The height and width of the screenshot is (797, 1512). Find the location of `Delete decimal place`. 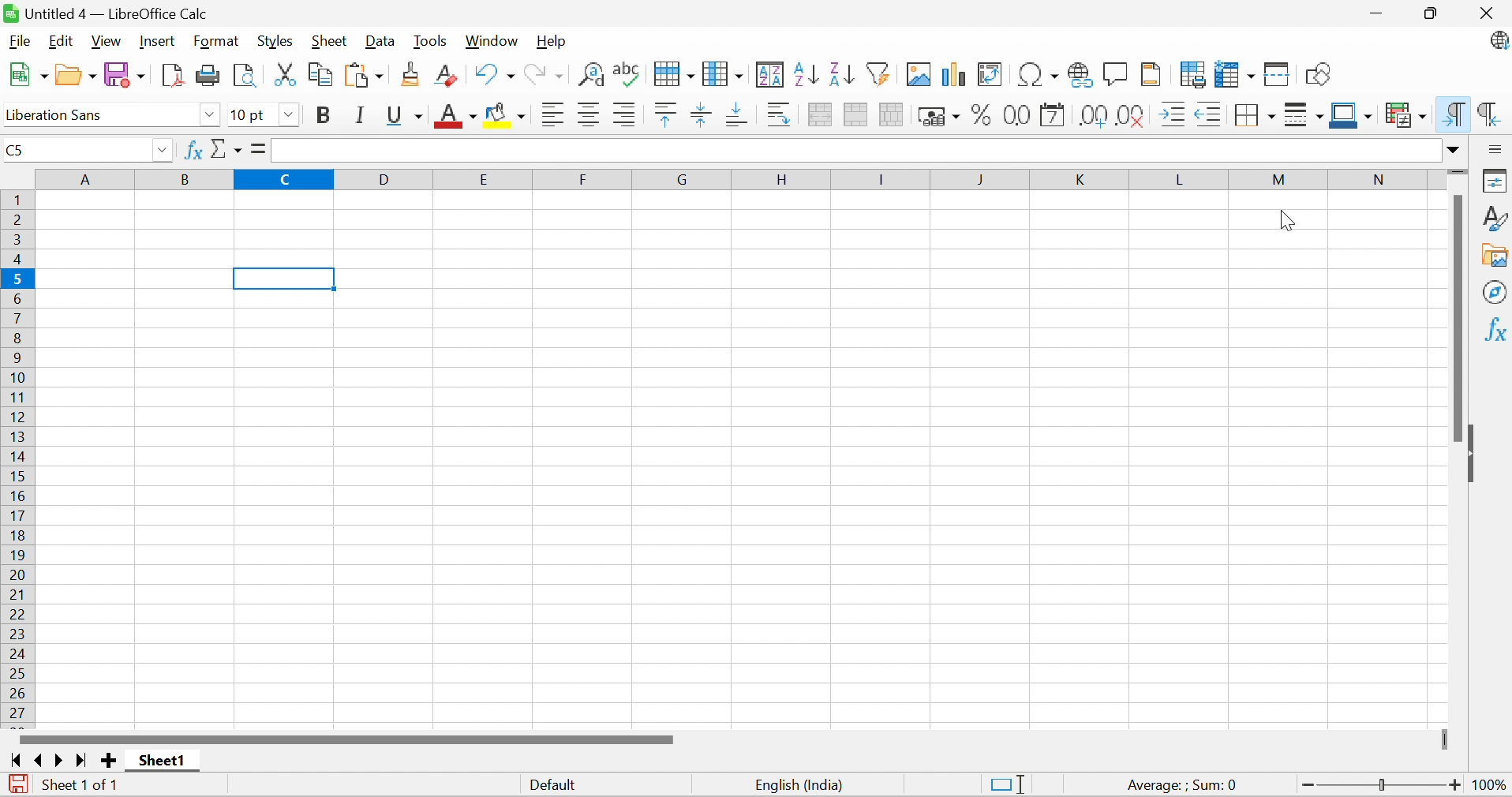

Delete decimal place is located at coordinates (1132, 115).